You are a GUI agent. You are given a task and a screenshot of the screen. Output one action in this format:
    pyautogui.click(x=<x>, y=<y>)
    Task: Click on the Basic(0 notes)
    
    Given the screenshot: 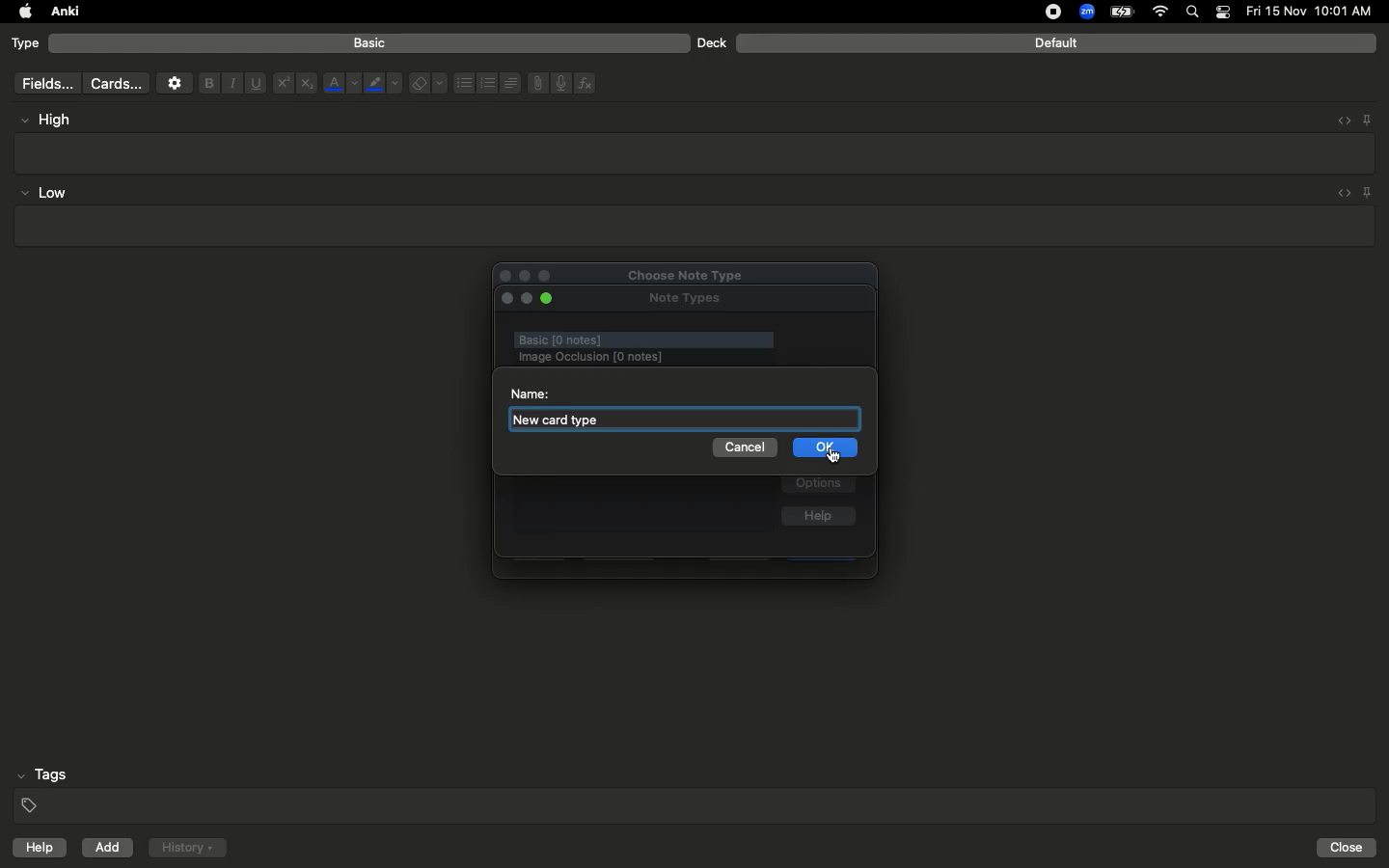 What is the action you would take?
    pyautogui.click(x=641, y=339)
    